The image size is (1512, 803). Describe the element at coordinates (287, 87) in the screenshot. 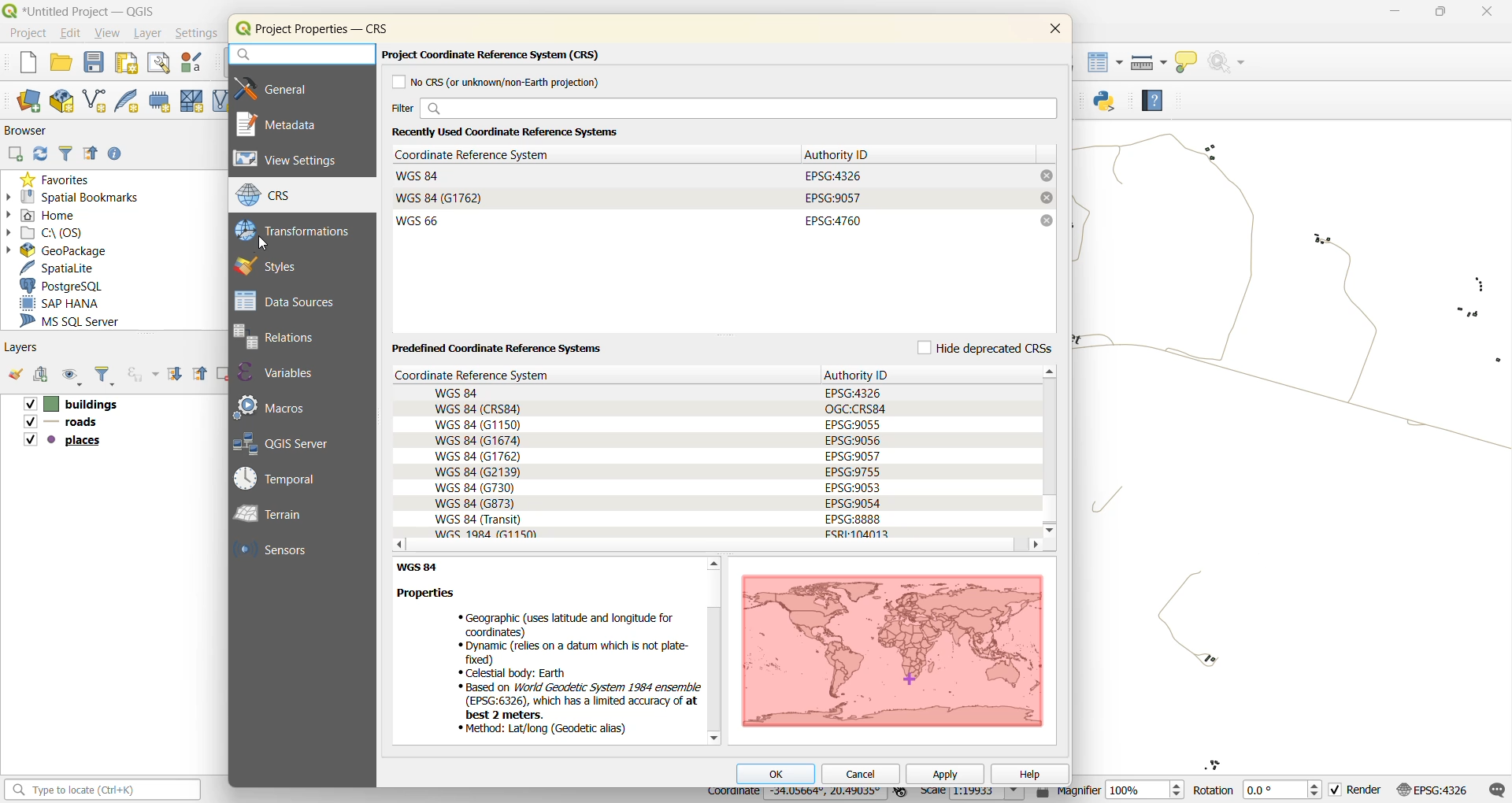

I see `general` at that location.